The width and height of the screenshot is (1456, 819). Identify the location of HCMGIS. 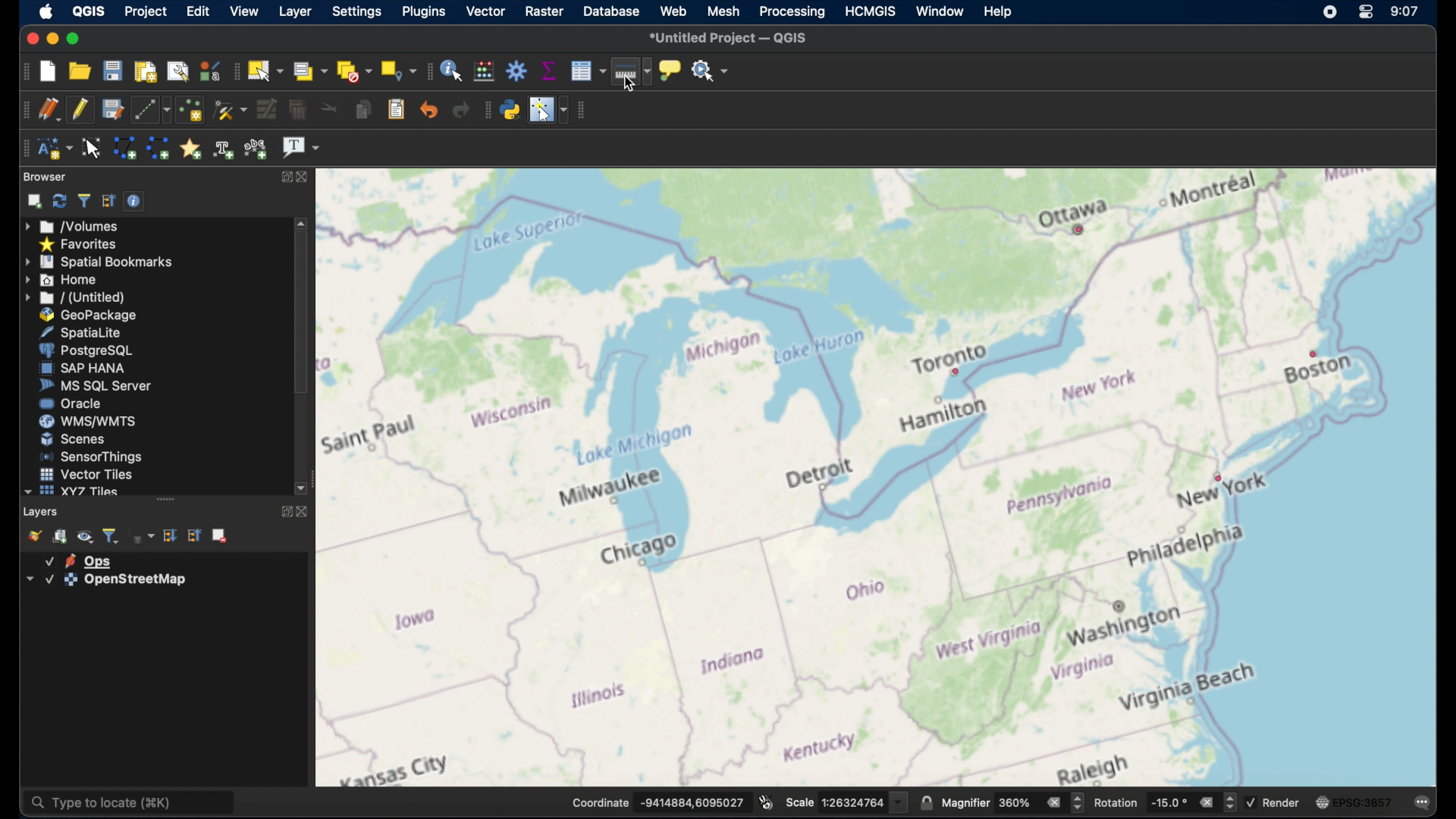
(873, 11).